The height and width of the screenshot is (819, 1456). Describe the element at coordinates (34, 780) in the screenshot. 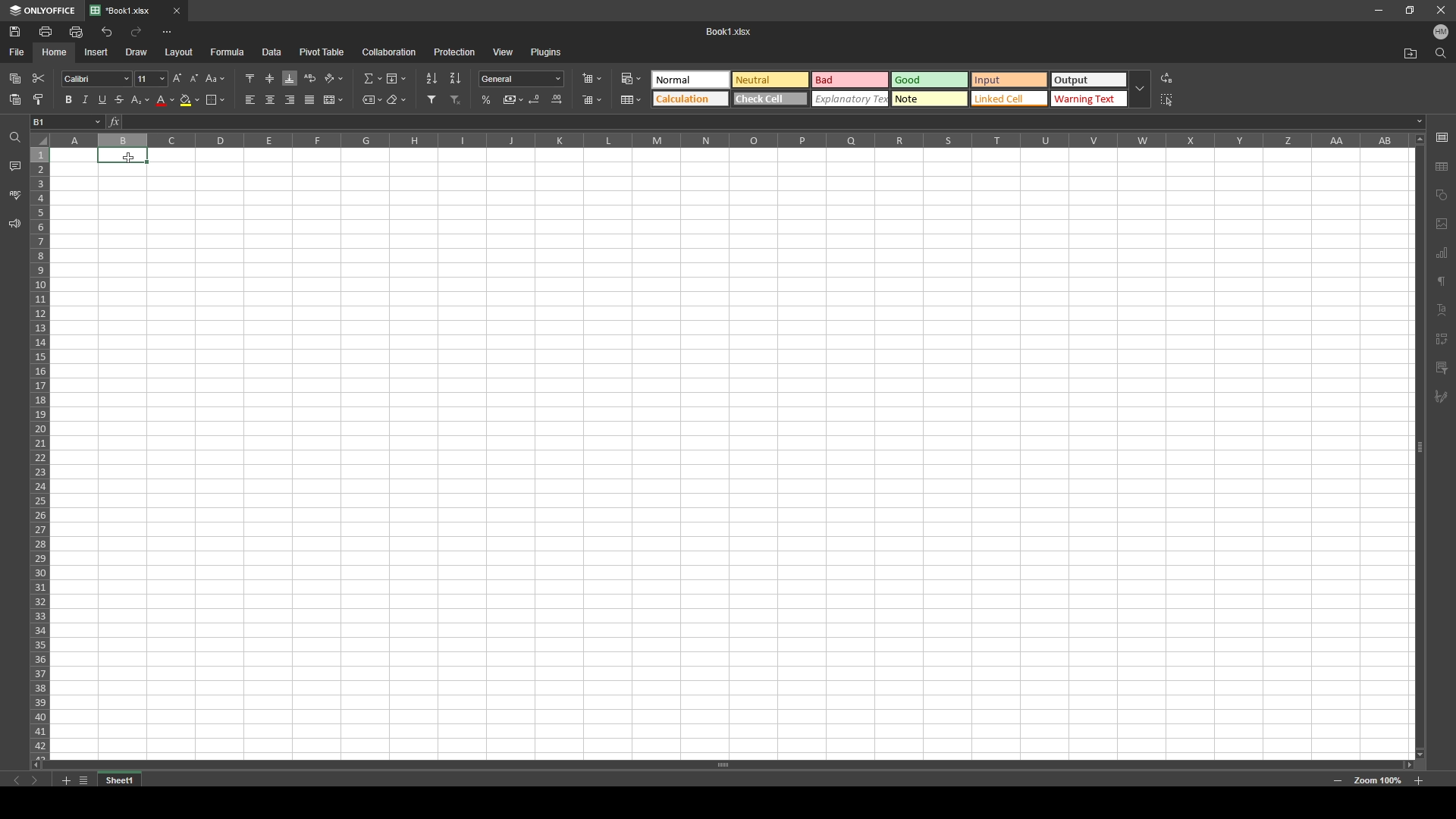

I see `next` at that location.